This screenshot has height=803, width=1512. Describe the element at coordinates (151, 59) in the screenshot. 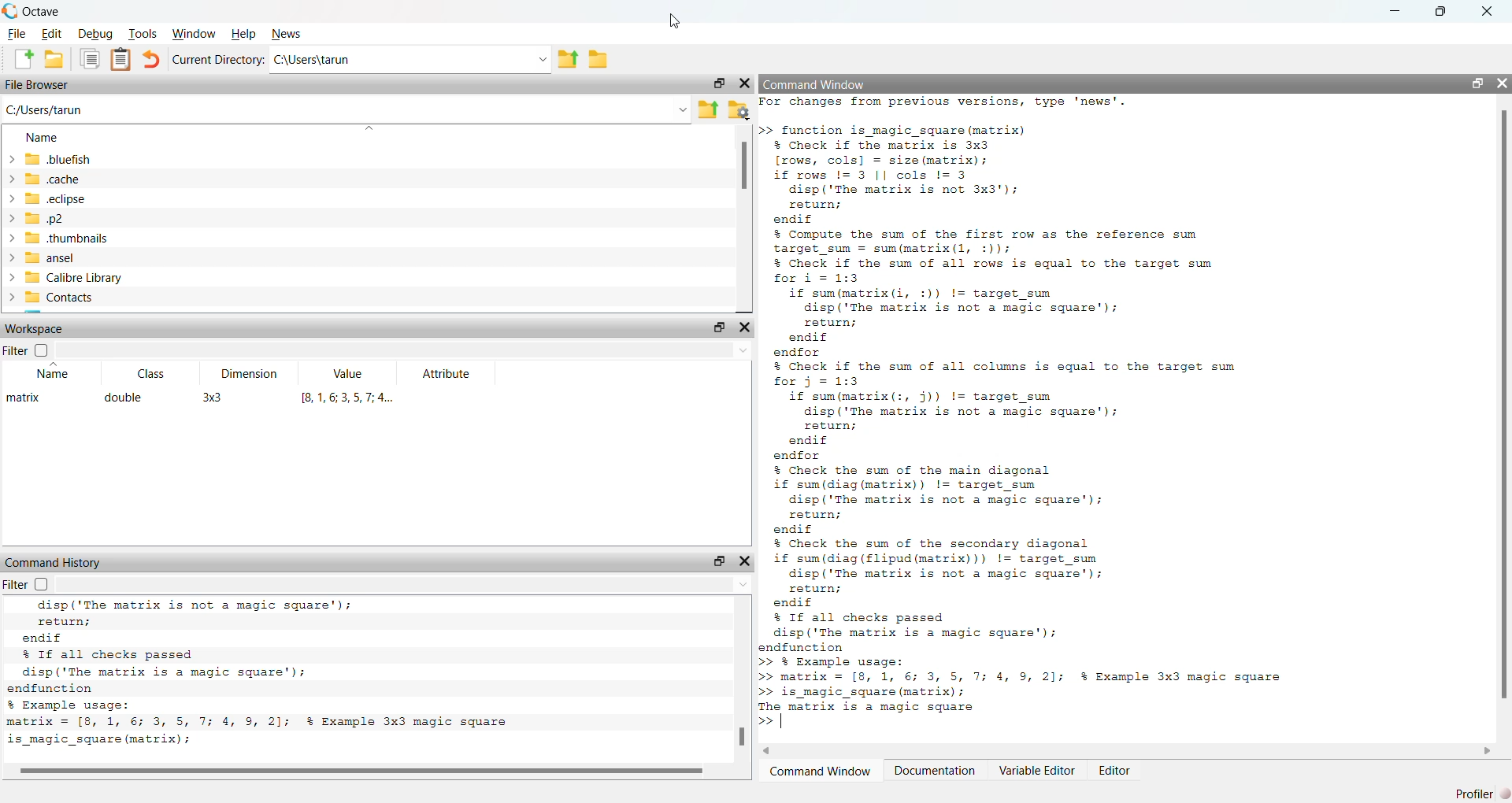

I see `Undo` at that location.